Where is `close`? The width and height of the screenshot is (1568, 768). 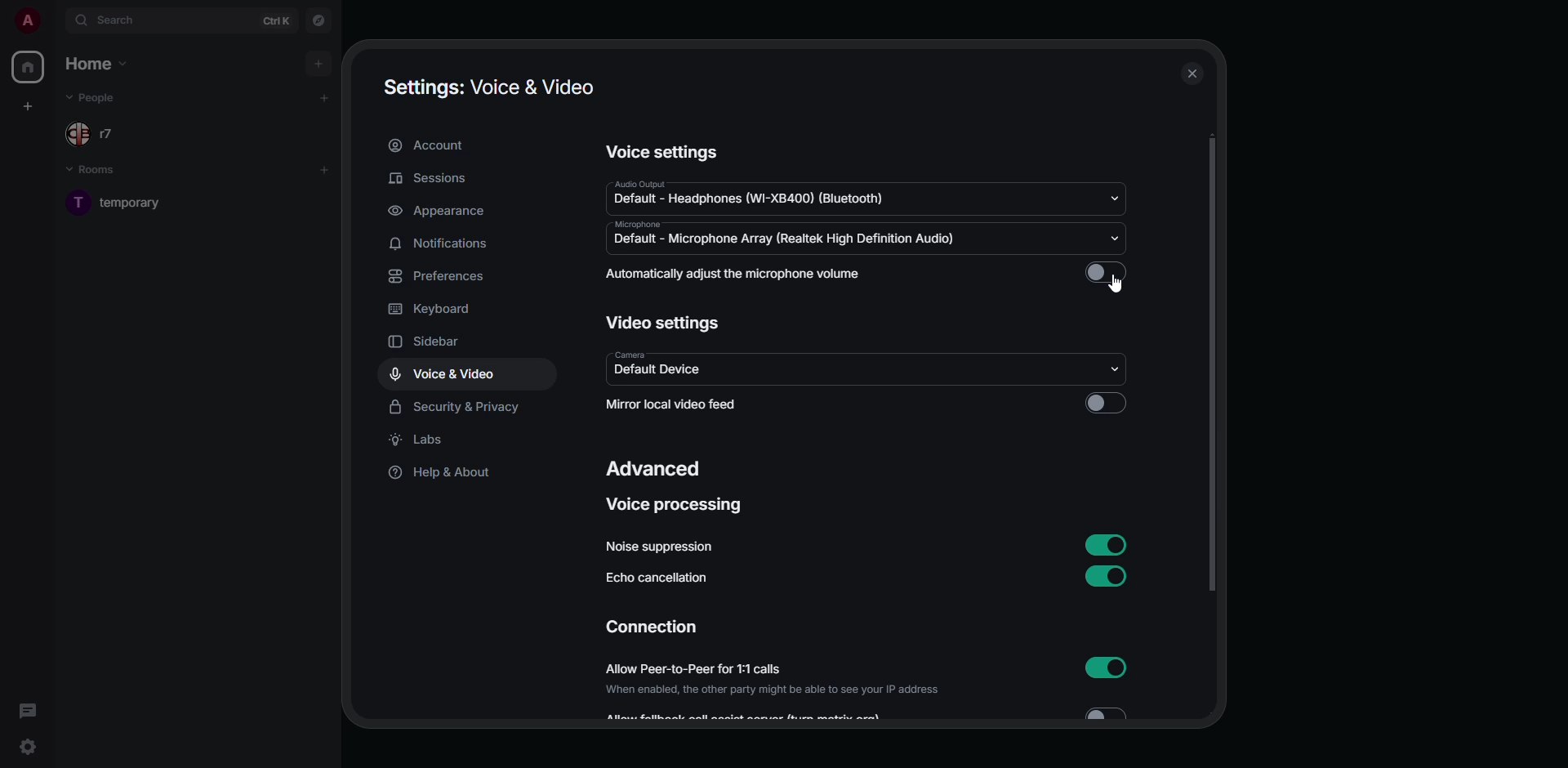 close is located at coordinates (1193, 74).